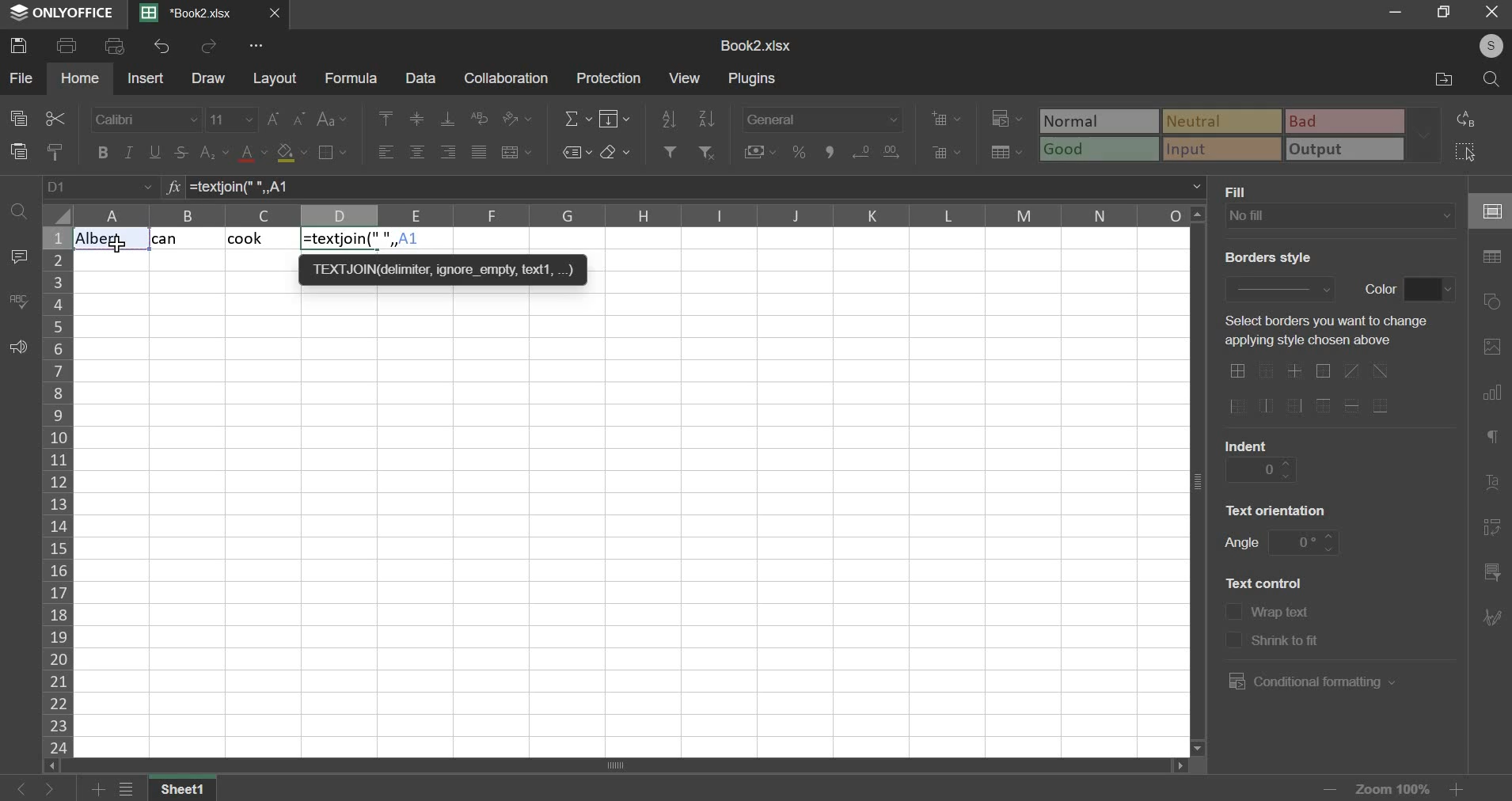 The height and width of the screenshot is (801, 1512). Describe the element at coordinates (1495, 302) in the screenshot. I see `shapes` at that location.